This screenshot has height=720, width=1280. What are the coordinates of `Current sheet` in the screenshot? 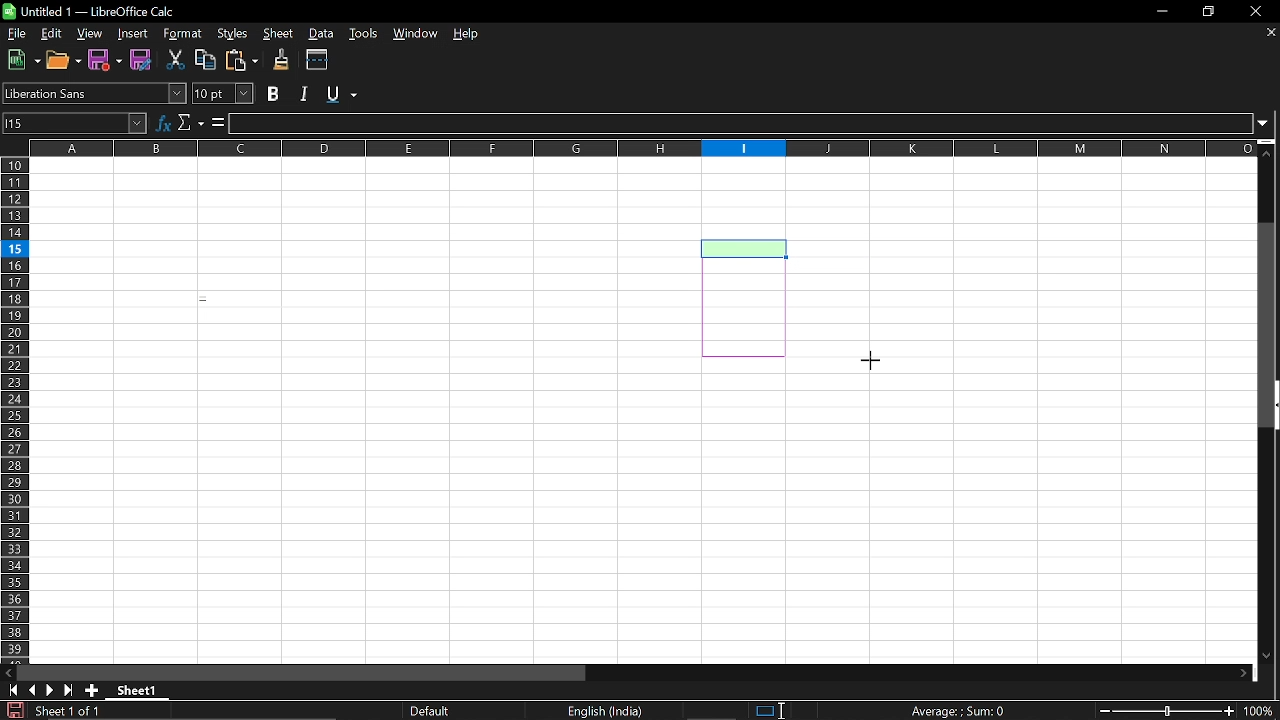 It's located at (136, 690).